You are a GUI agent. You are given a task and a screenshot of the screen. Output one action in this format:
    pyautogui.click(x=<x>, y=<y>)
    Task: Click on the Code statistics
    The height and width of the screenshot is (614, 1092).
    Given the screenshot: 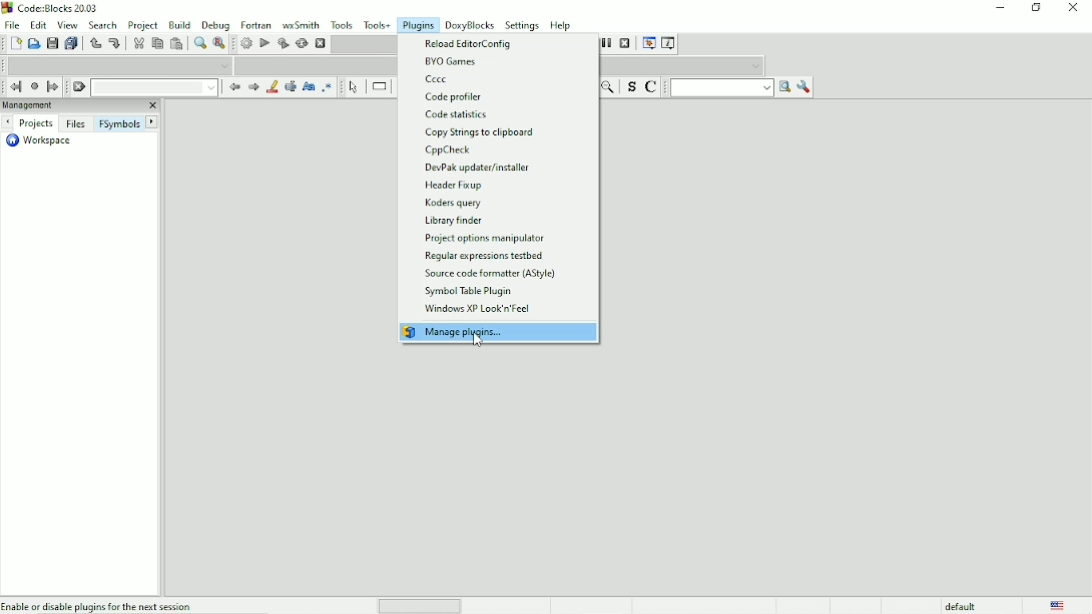 What is the action you would take?
    pyautogui.click(x=460, y=115)
    